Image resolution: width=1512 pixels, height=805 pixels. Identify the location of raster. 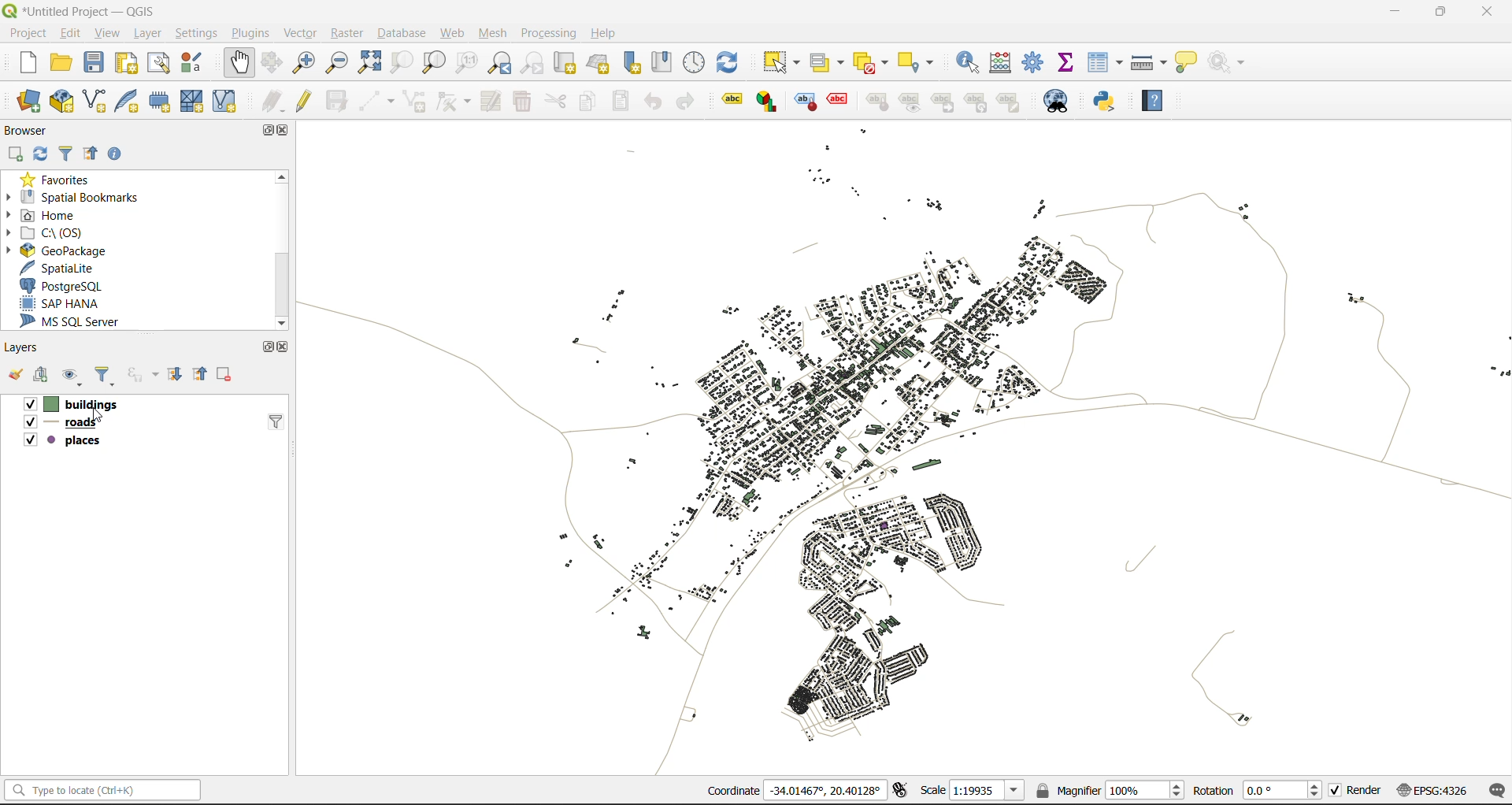
(351, 33).